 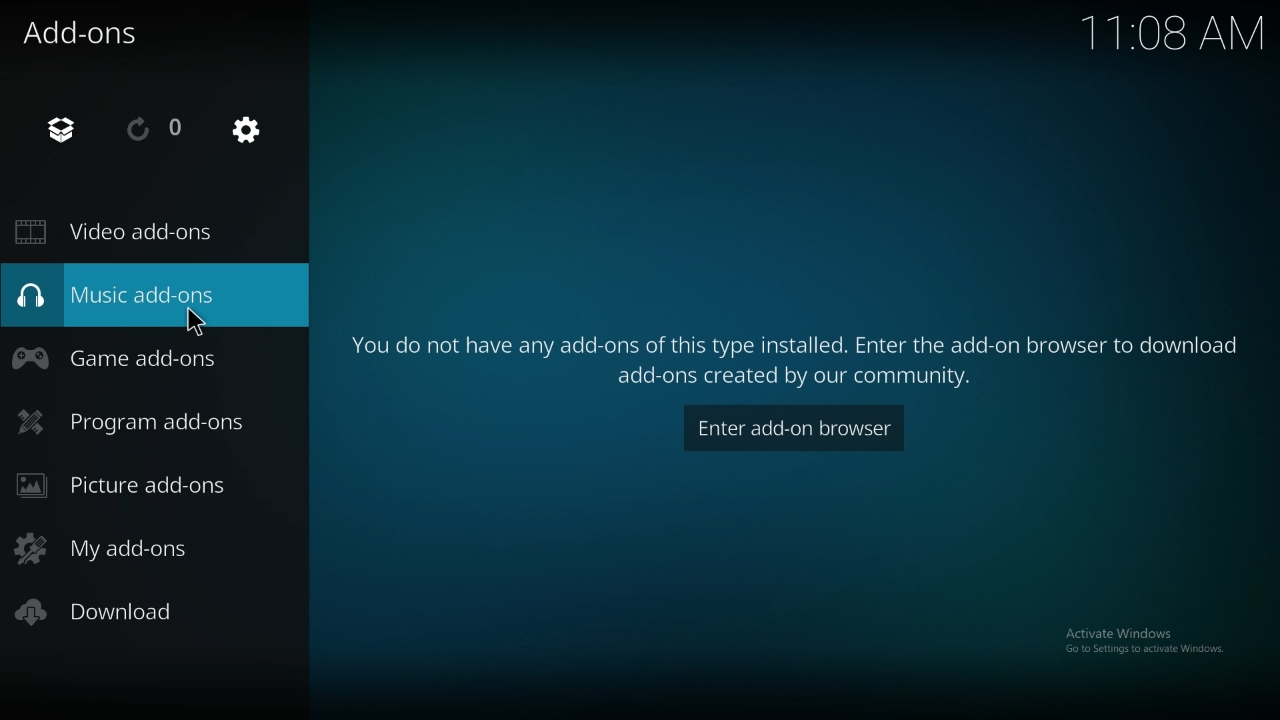 What do you see at coordinates (85, 31) in the screenshot?
I see `add ons` at bounding box center [85, 31].